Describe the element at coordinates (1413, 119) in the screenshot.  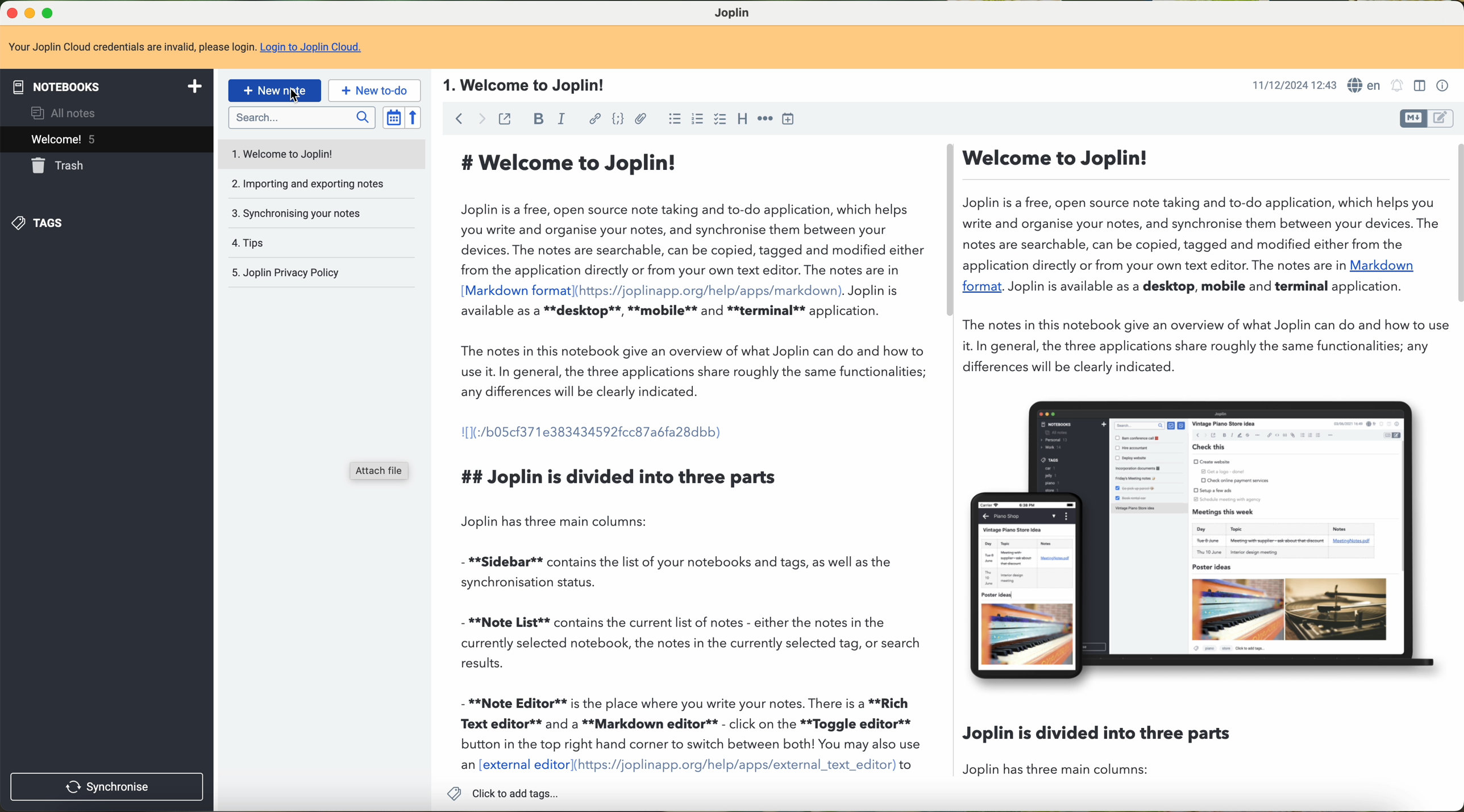
I see `toggle editors` at that location.